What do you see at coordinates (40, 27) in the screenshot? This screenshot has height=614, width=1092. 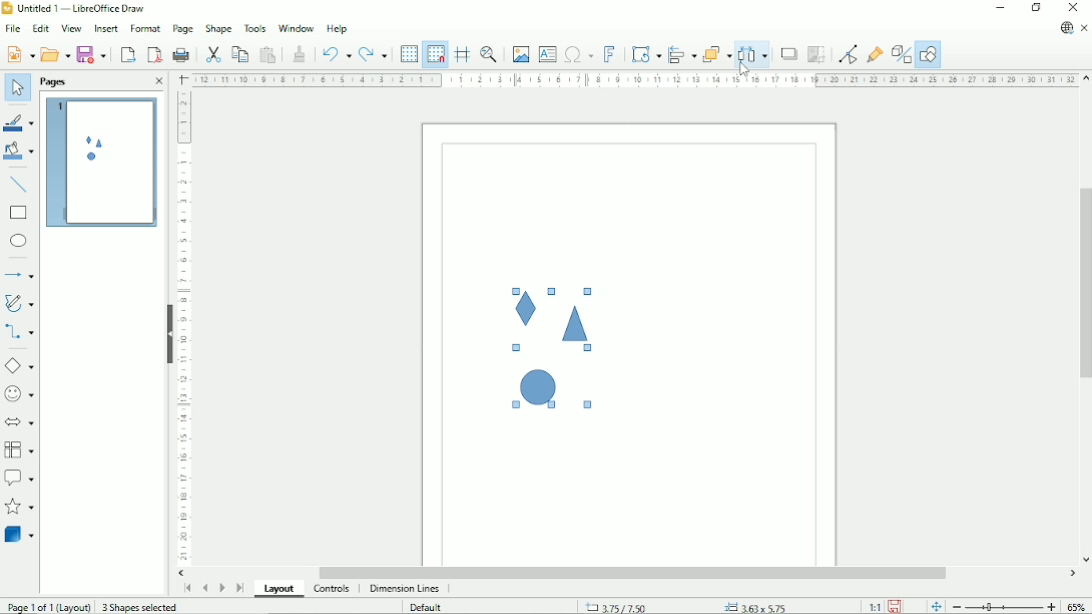 I see `Edit` at bounding box center [40, 27].